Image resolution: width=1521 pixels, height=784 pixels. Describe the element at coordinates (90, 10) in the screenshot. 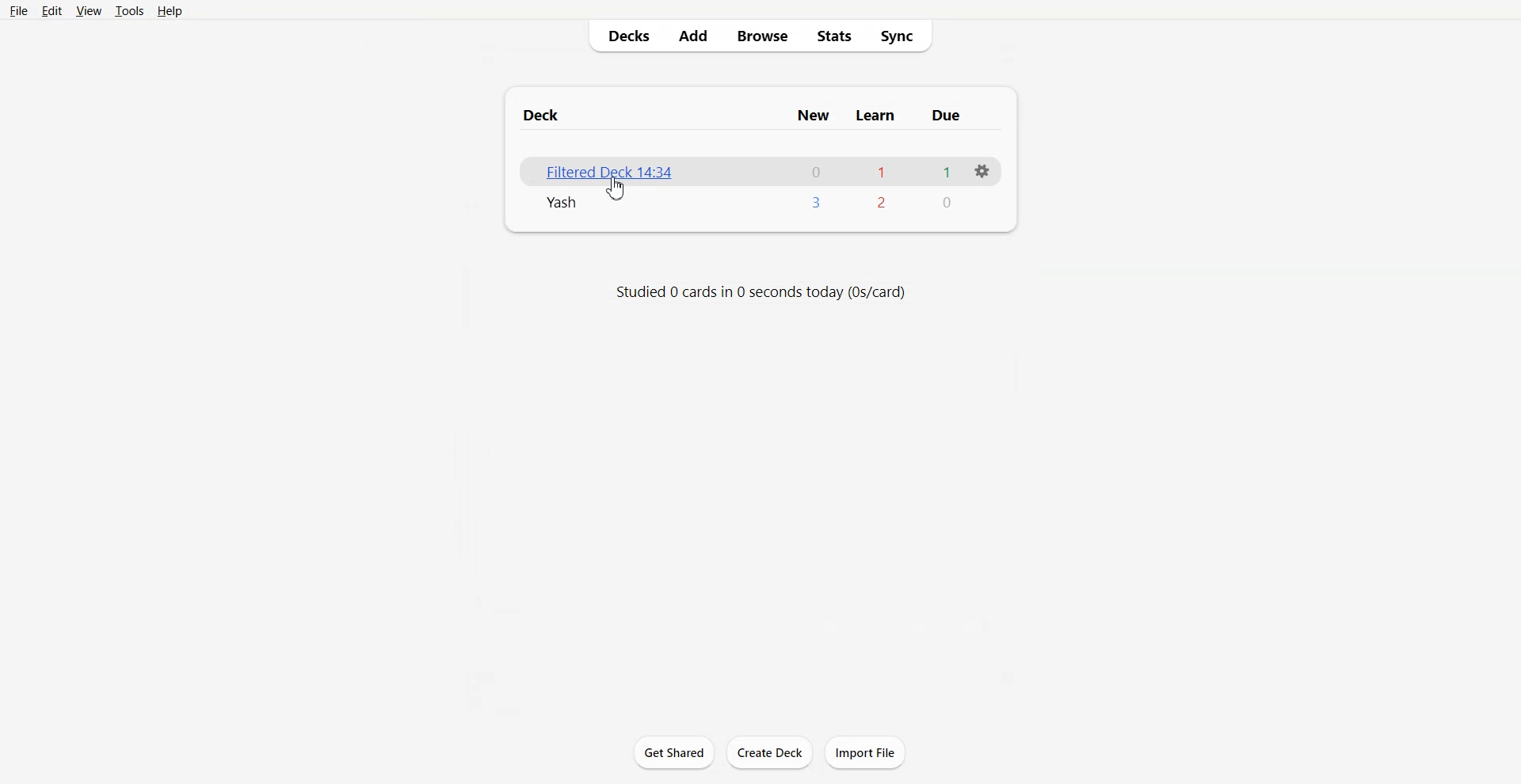

I see `View` at that location.